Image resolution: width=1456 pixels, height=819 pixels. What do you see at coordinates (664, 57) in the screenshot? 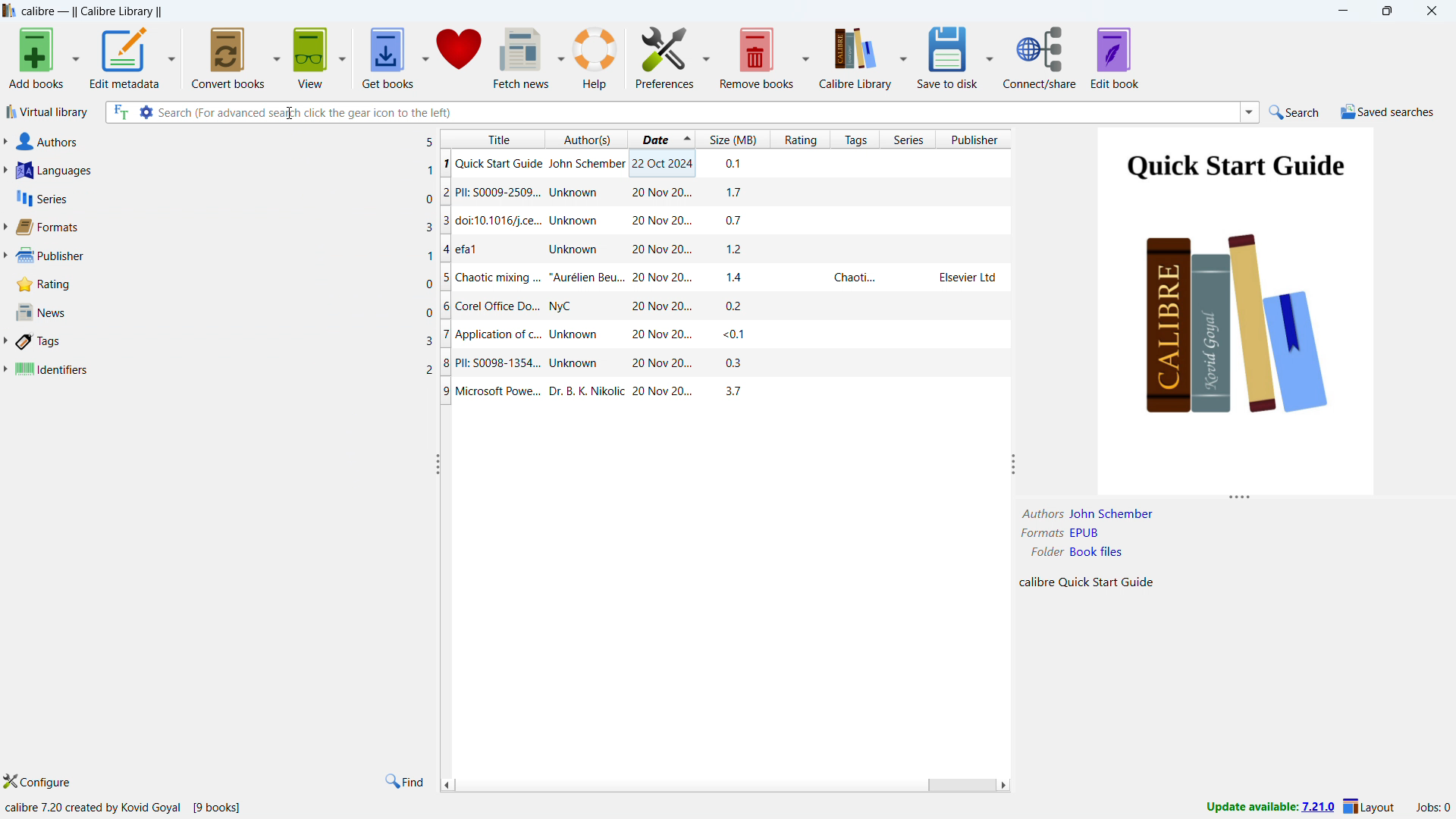
I see `preference ` at bounding box center [664, 57].